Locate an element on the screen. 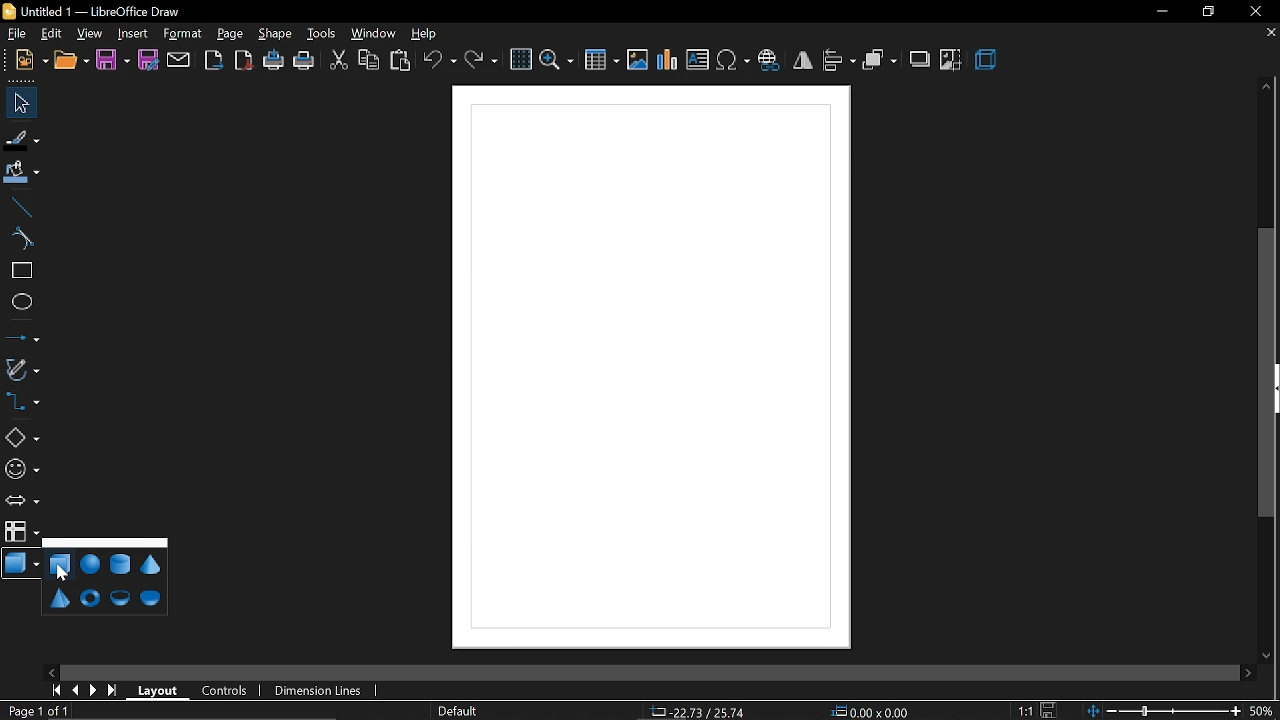 Image resolution: width=1280 pixels, height=720 pixels. print directly is located at coordinates (272, 62).